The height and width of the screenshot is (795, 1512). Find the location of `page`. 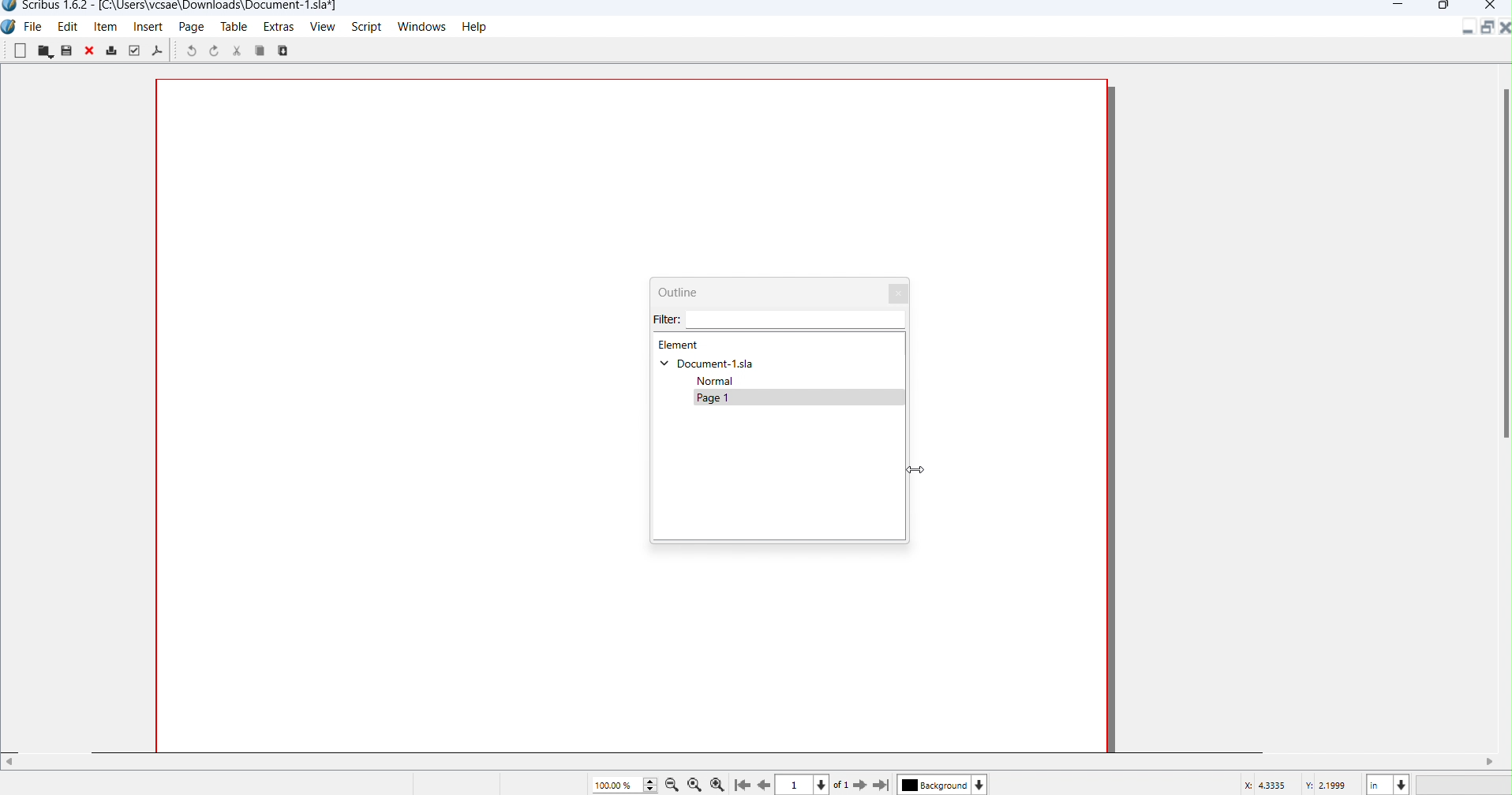

page is located at coordinates (723, 401).